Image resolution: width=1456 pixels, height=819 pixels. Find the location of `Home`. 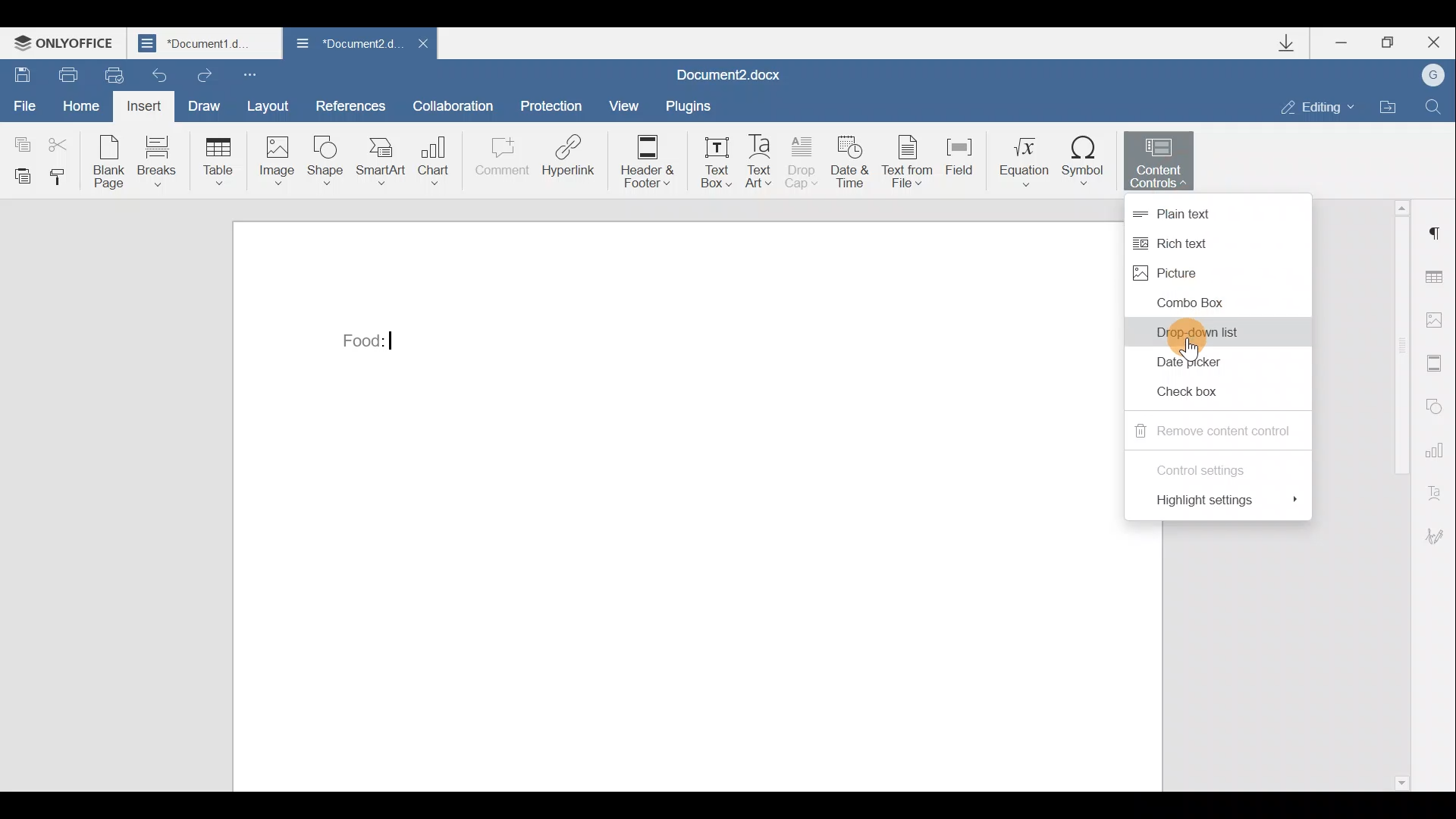

Home is located at coordinates (86, 108).